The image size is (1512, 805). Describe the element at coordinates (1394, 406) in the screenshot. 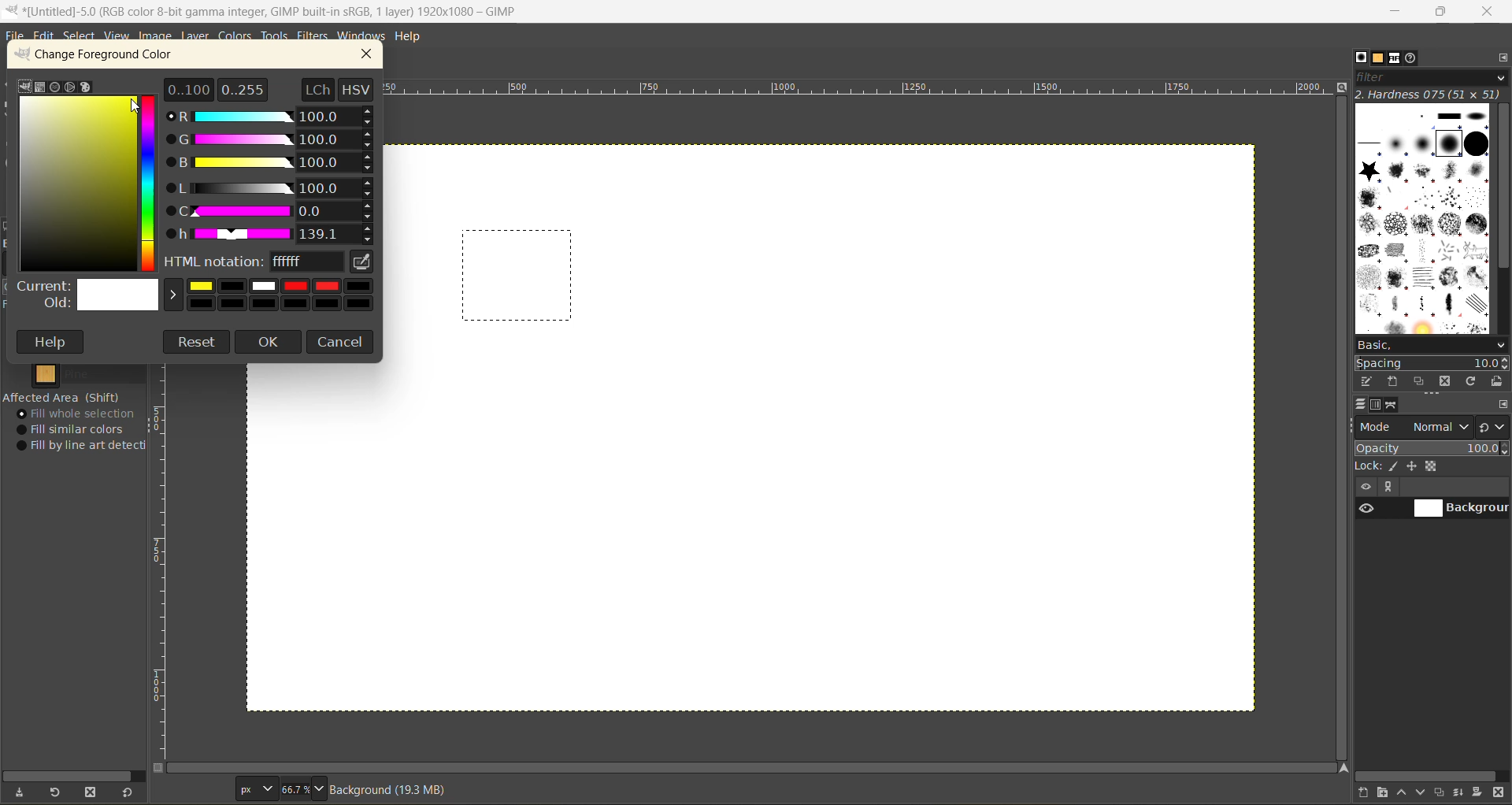

I see `paths` at that location.